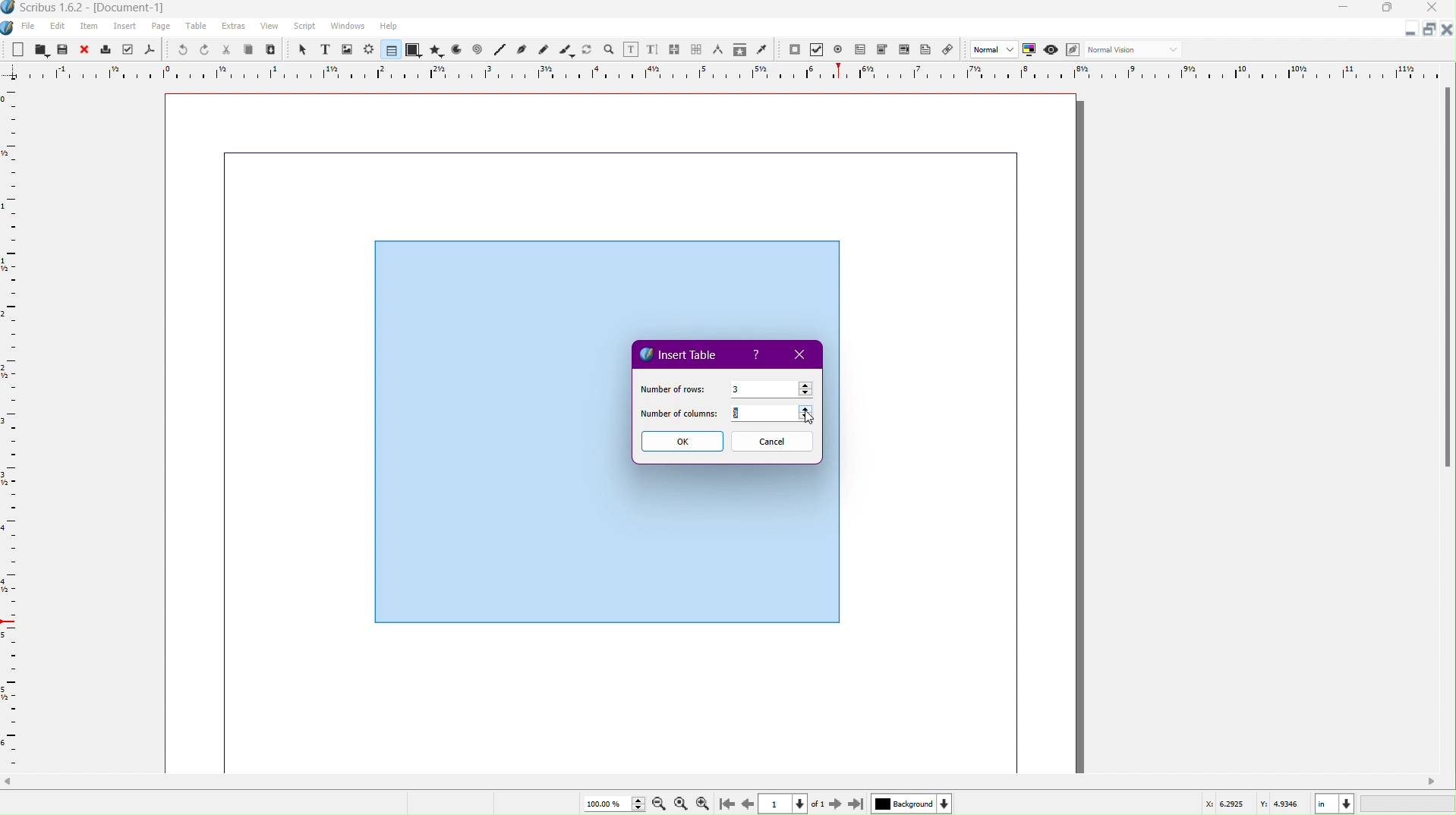 Image resolution: width=1456 pixels, height=815 pixels. Describe the element at coordinates (1446, 282) in the screenshot. I see `Scrollbar` at that location.